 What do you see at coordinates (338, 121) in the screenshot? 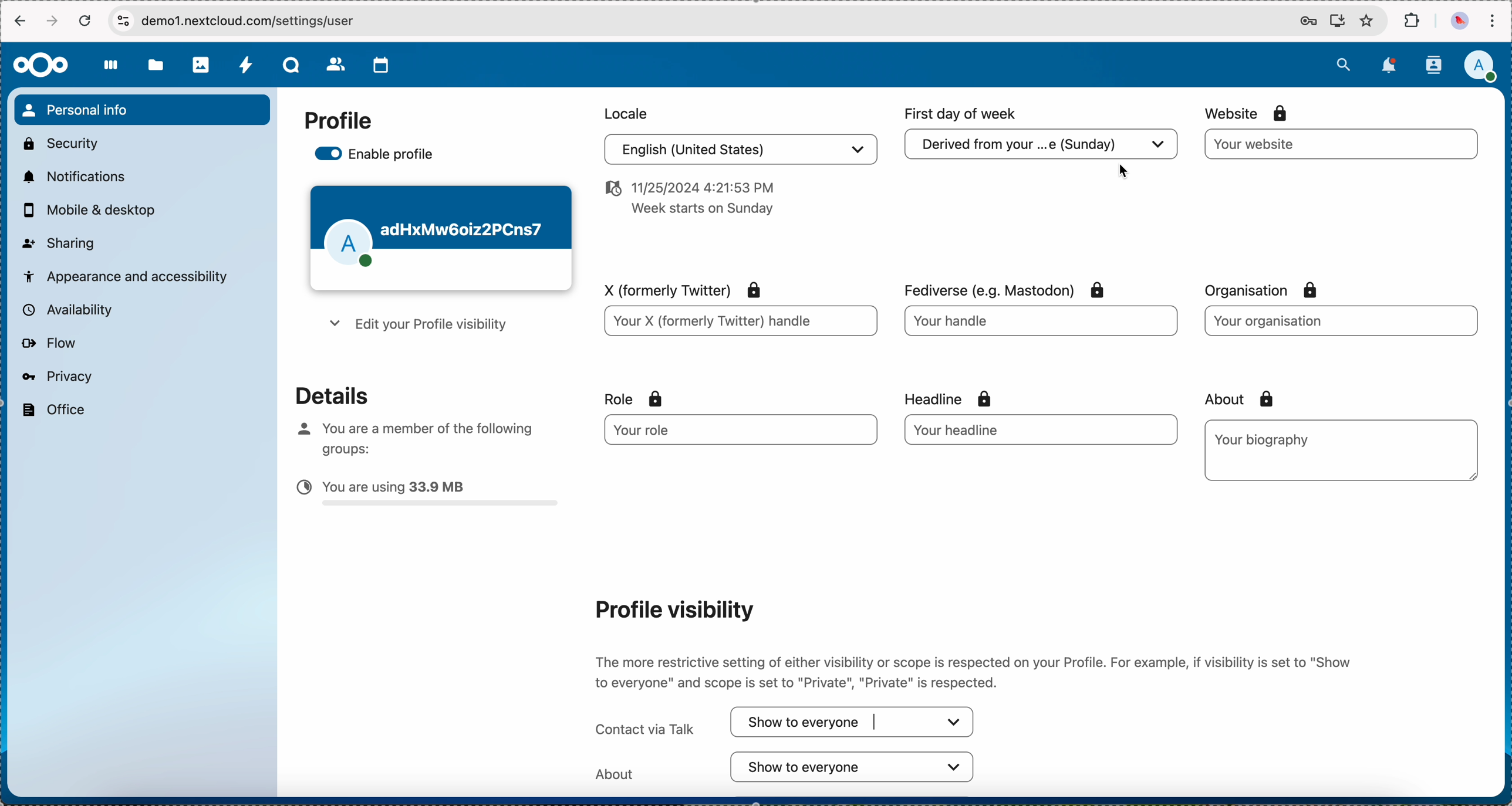
I see `profile` at bounding box center [338, 121].